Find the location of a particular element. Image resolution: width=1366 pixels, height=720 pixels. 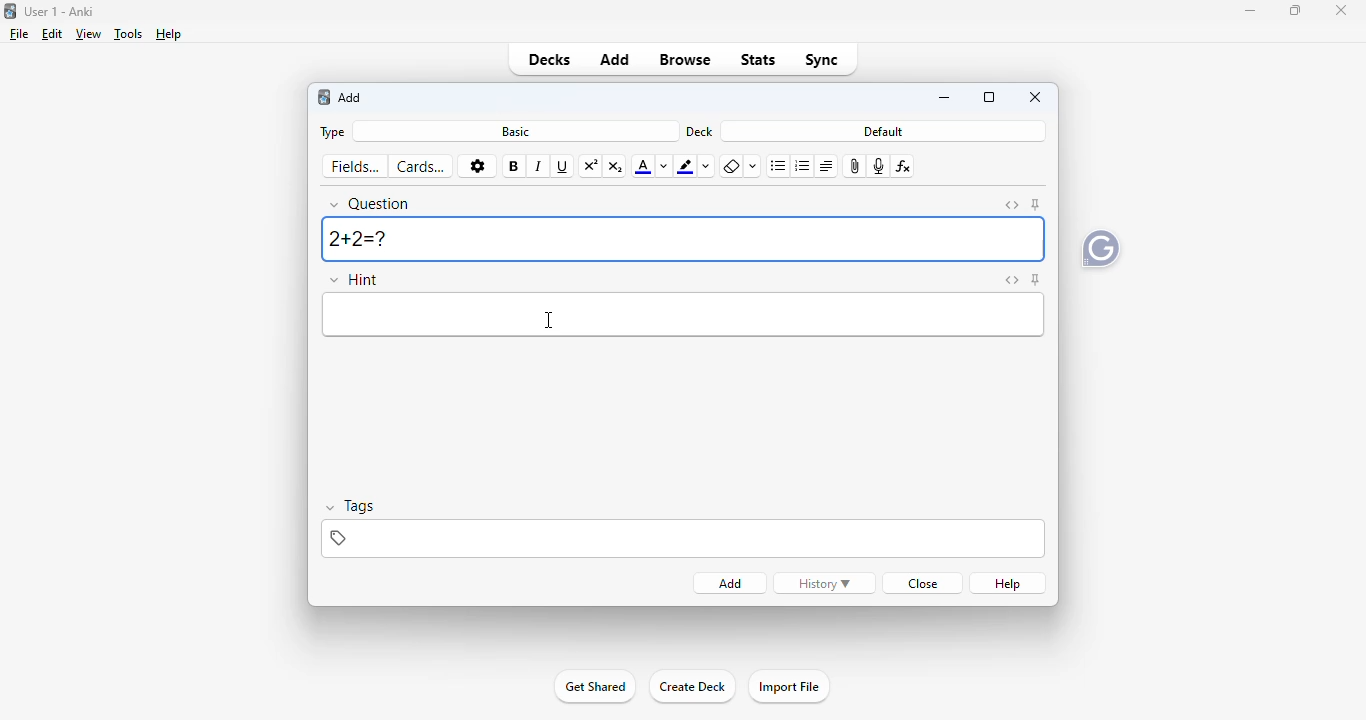

get shared is located at coordinates (593, 687).